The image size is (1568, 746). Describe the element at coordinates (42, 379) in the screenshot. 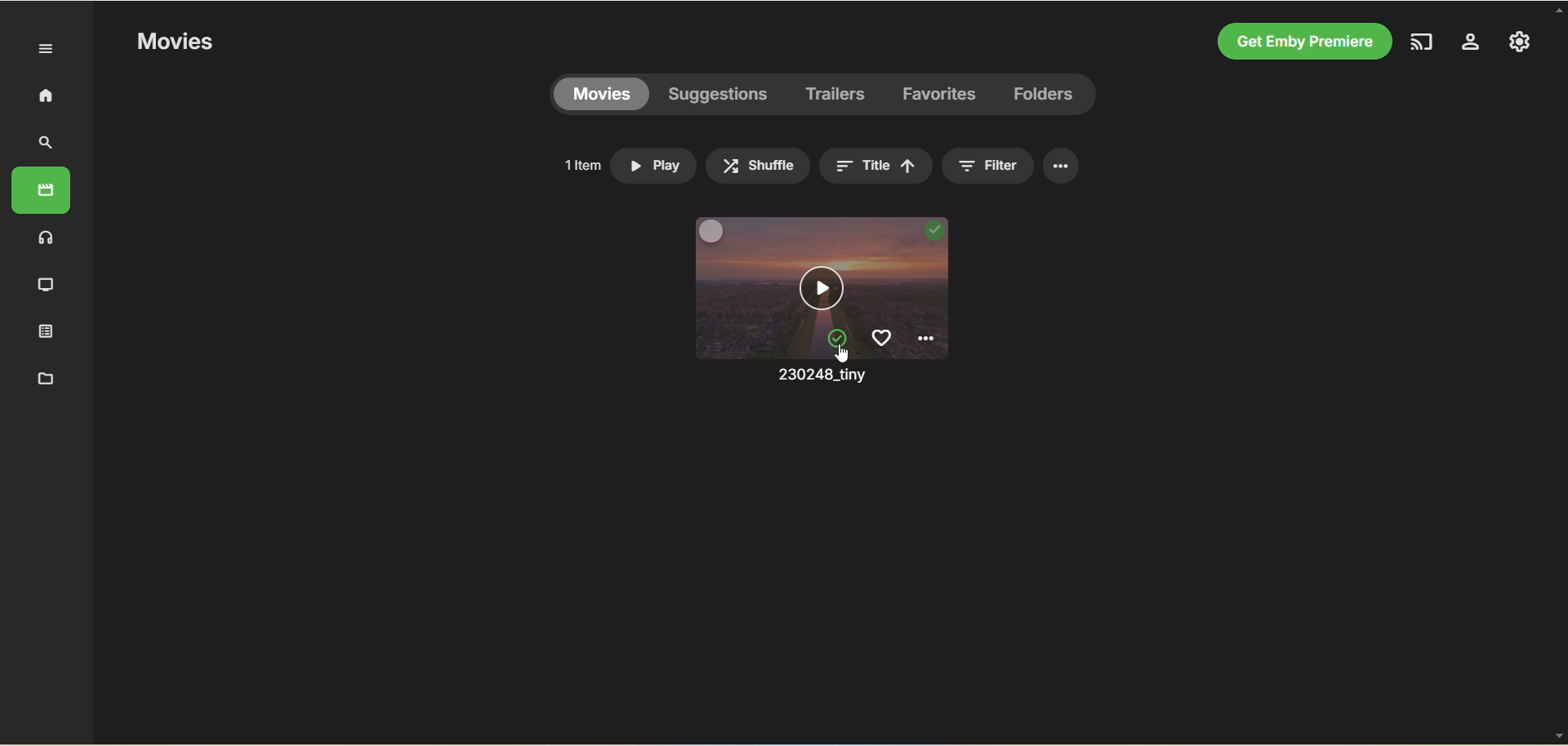

I see `metadata manager` at that location.